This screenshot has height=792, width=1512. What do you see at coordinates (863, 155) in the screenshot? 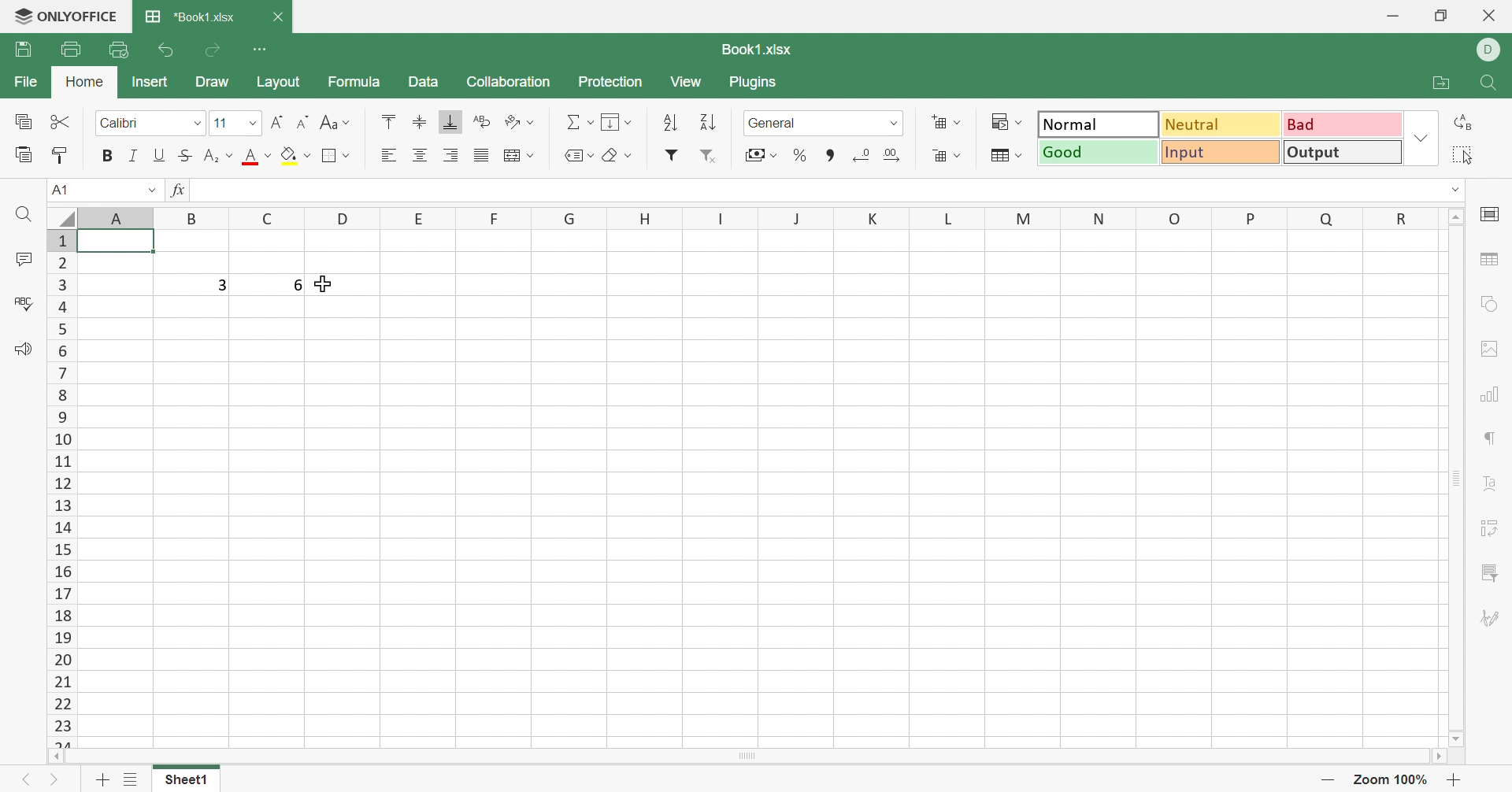
I see `Decrease decimal` at bounding box center [863, 155].